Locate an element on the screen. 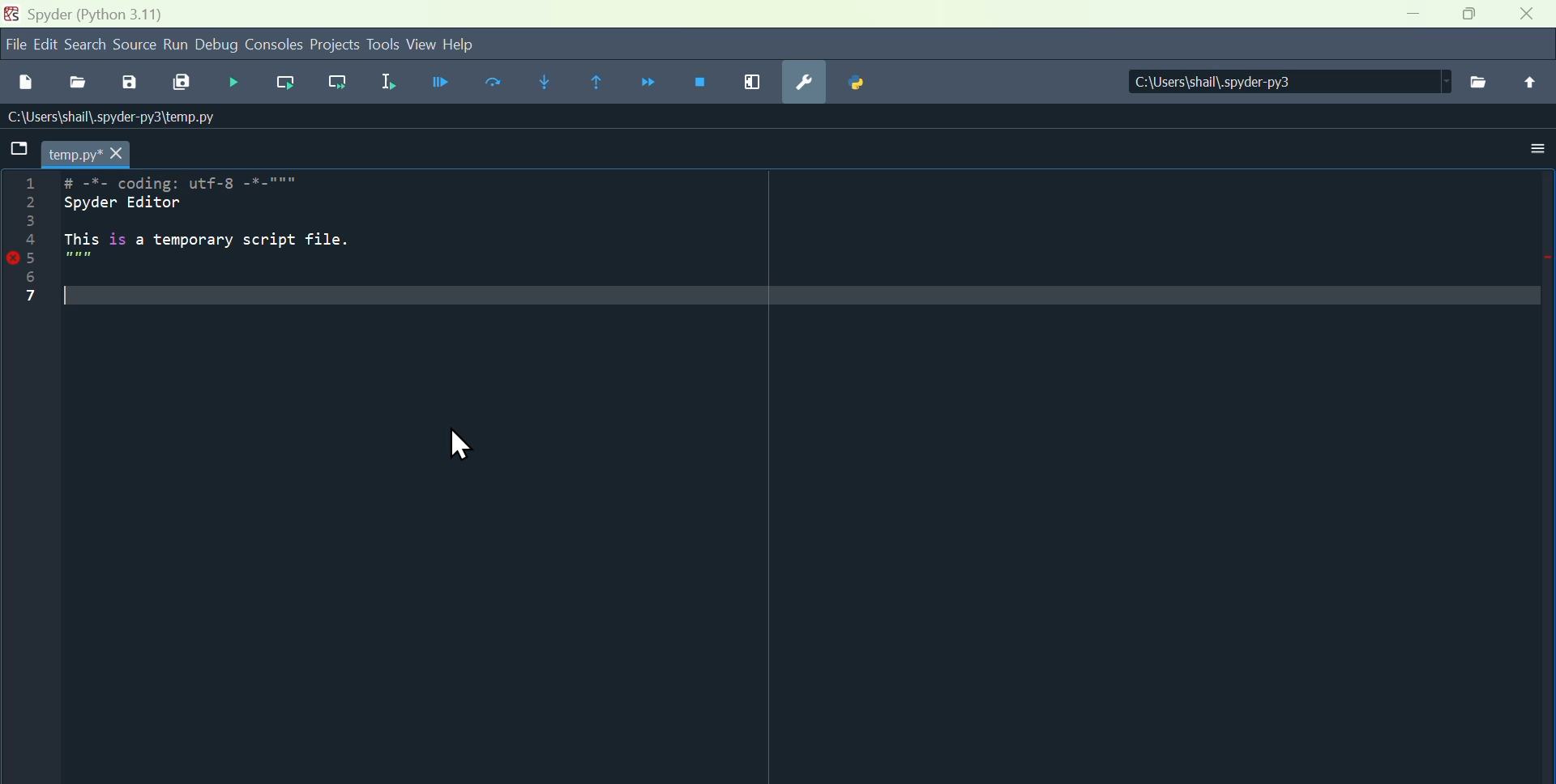  Save all is located at coordinates (182, 86).